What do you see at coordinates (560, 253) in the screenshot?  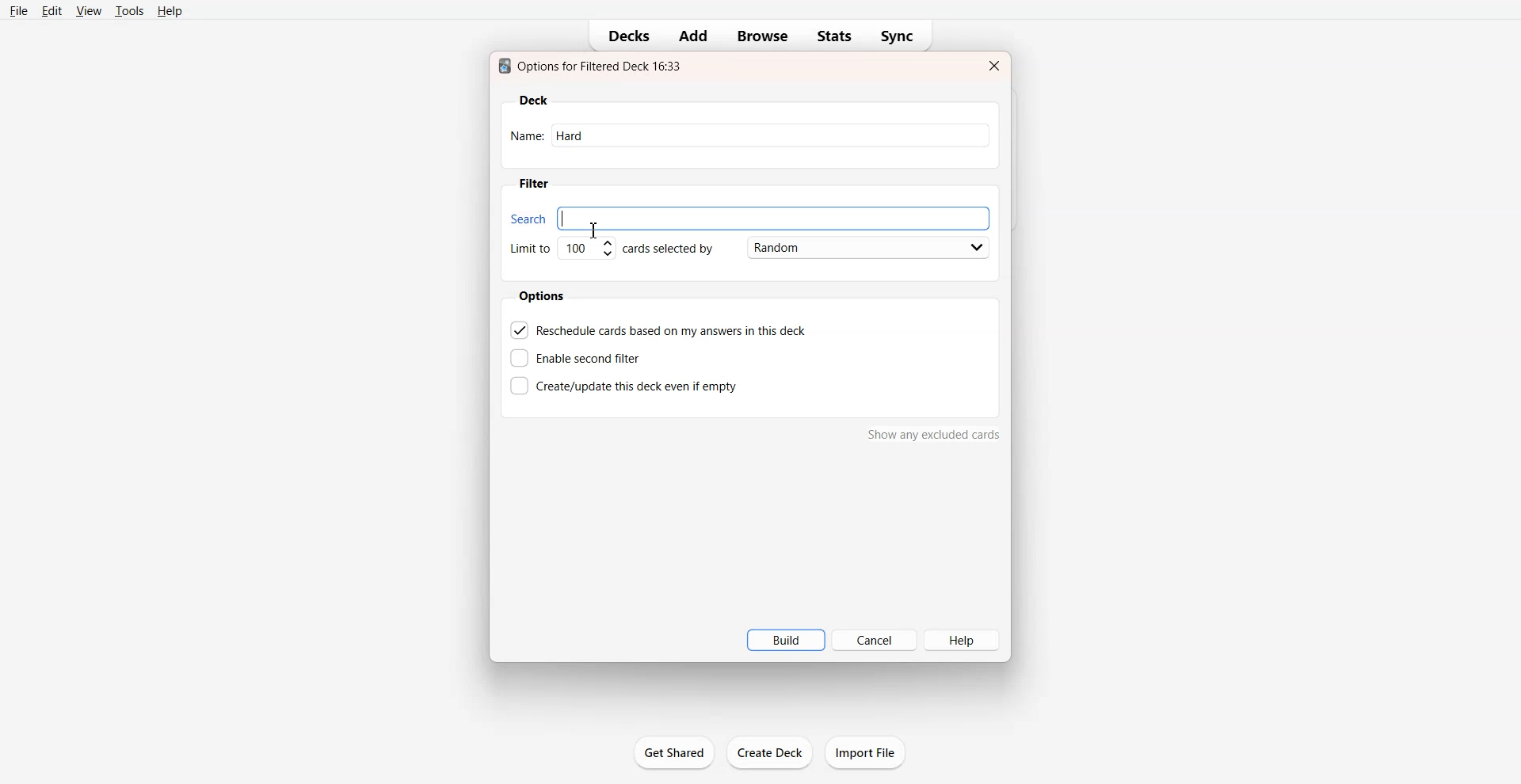 I see `Set Limit` at bounding box center [560, 253].